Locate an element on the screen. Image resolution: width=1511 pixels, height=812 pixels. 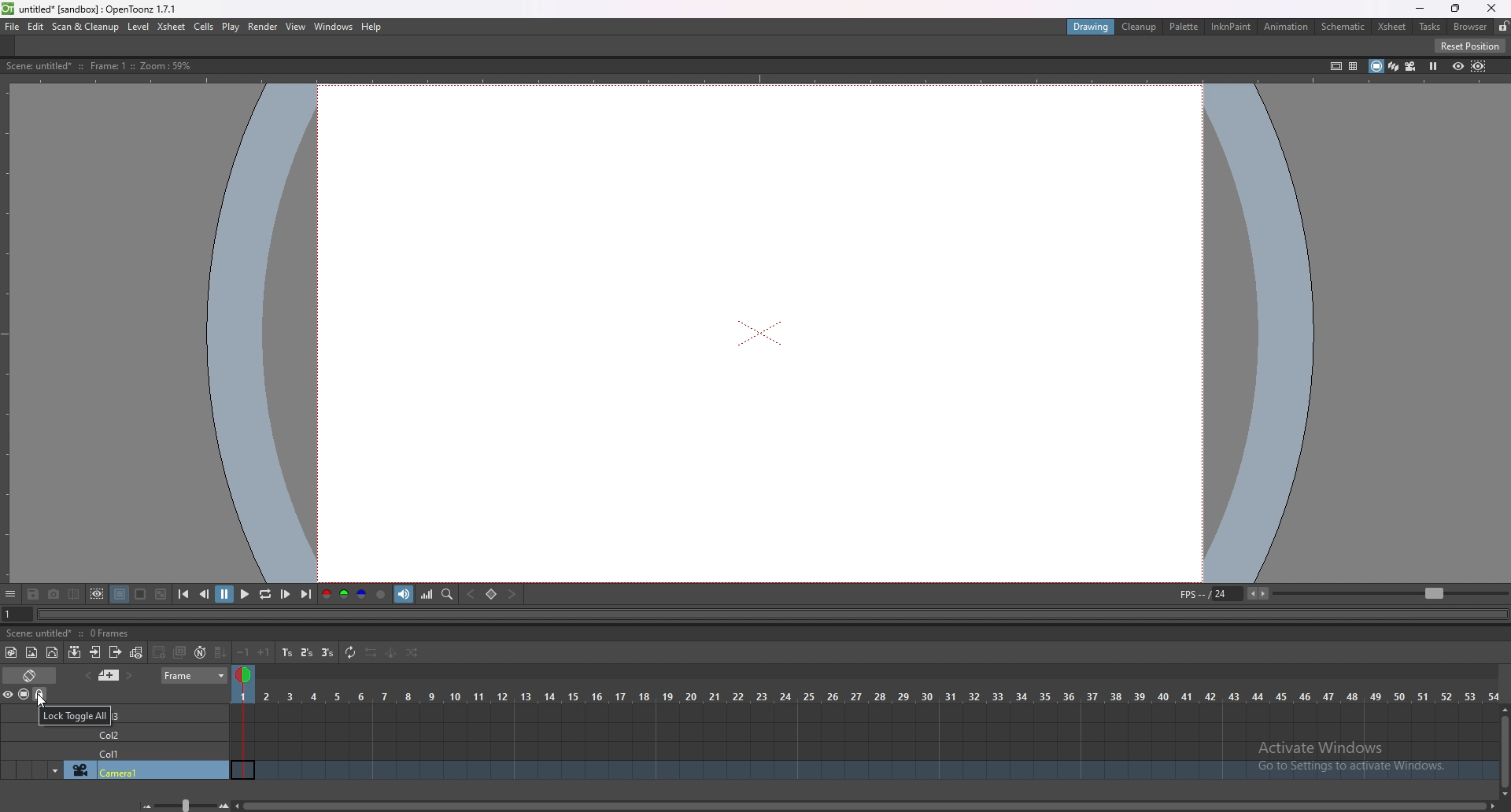
field guide is located at coordinates (1353, 65).